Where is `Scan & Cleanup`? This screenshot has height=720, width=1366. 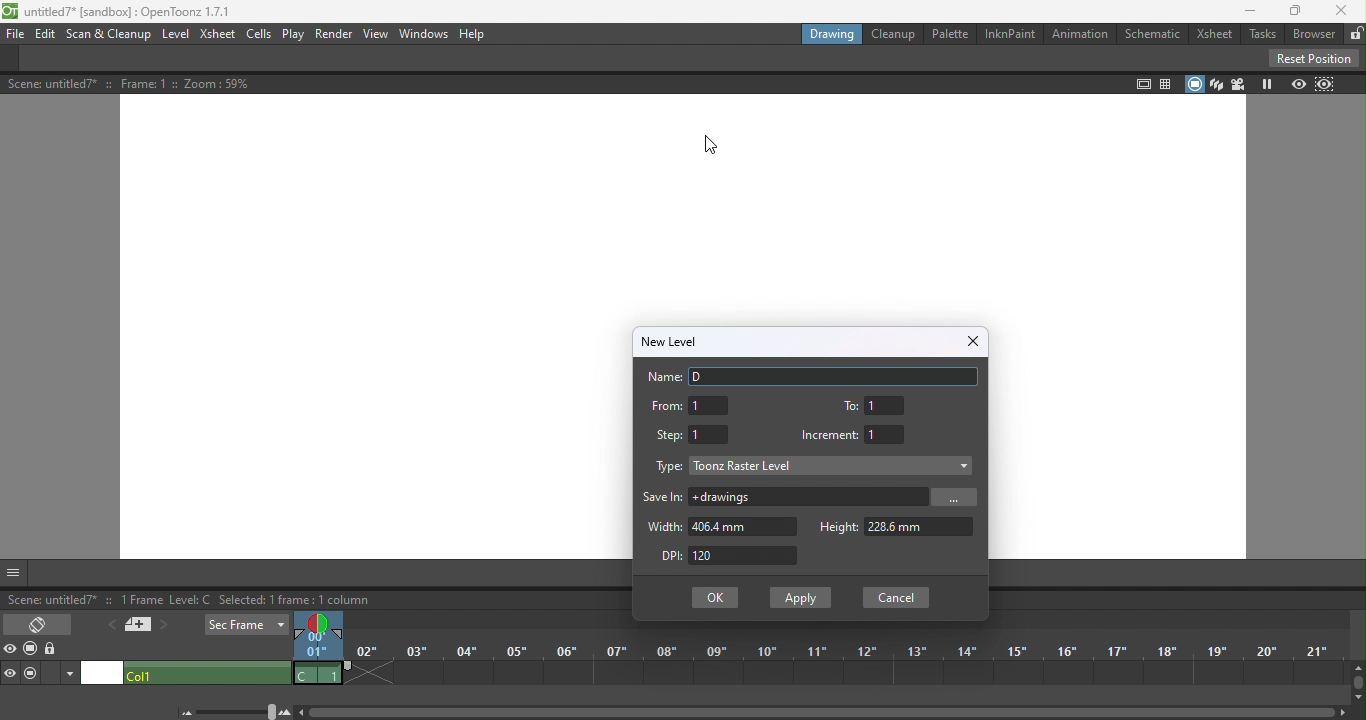 Scan & Cleanup is located at coordinates (110, 35).